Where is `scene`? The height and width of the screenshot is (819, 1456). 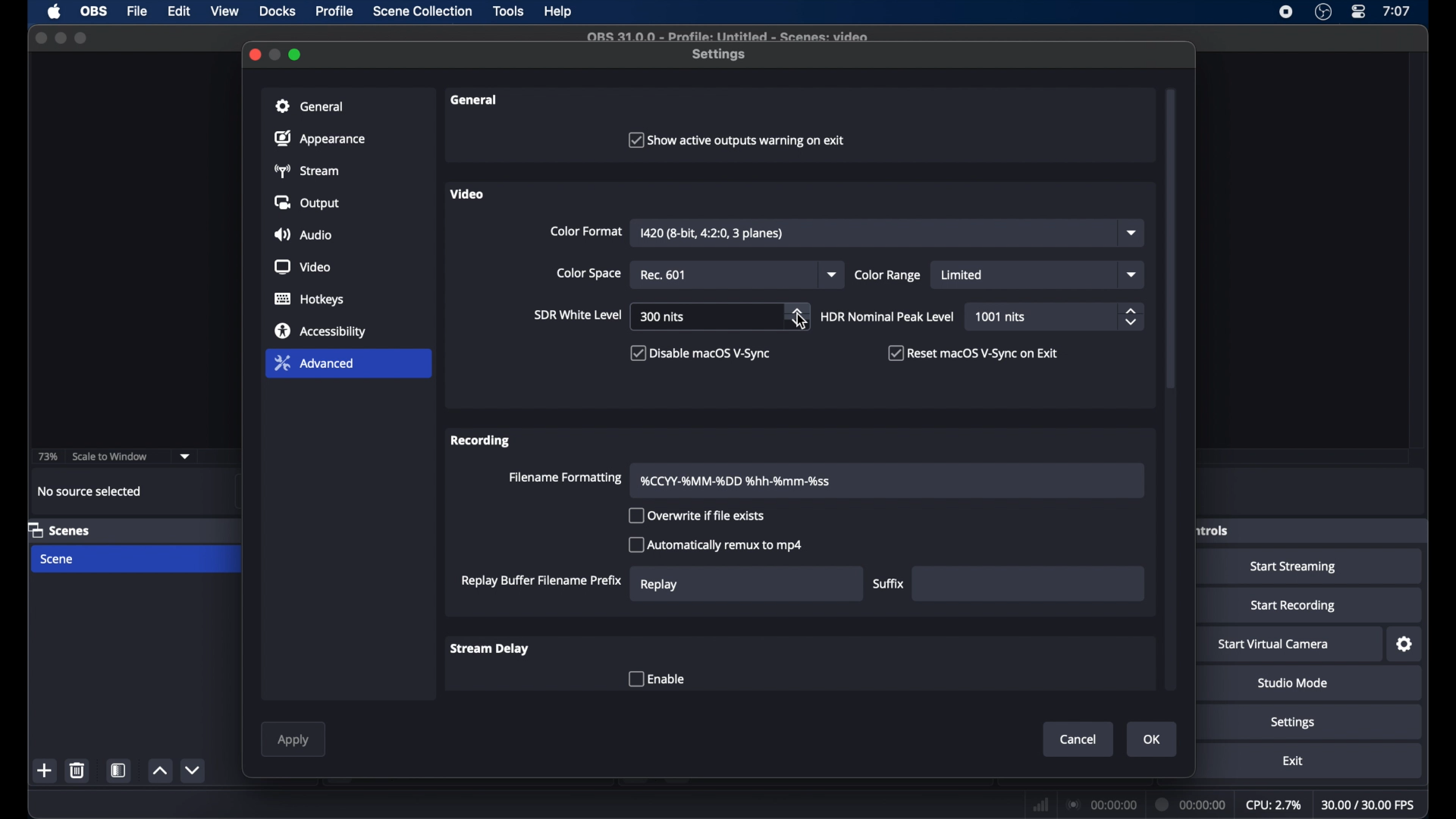
scene is located at coordinates (58, 560).